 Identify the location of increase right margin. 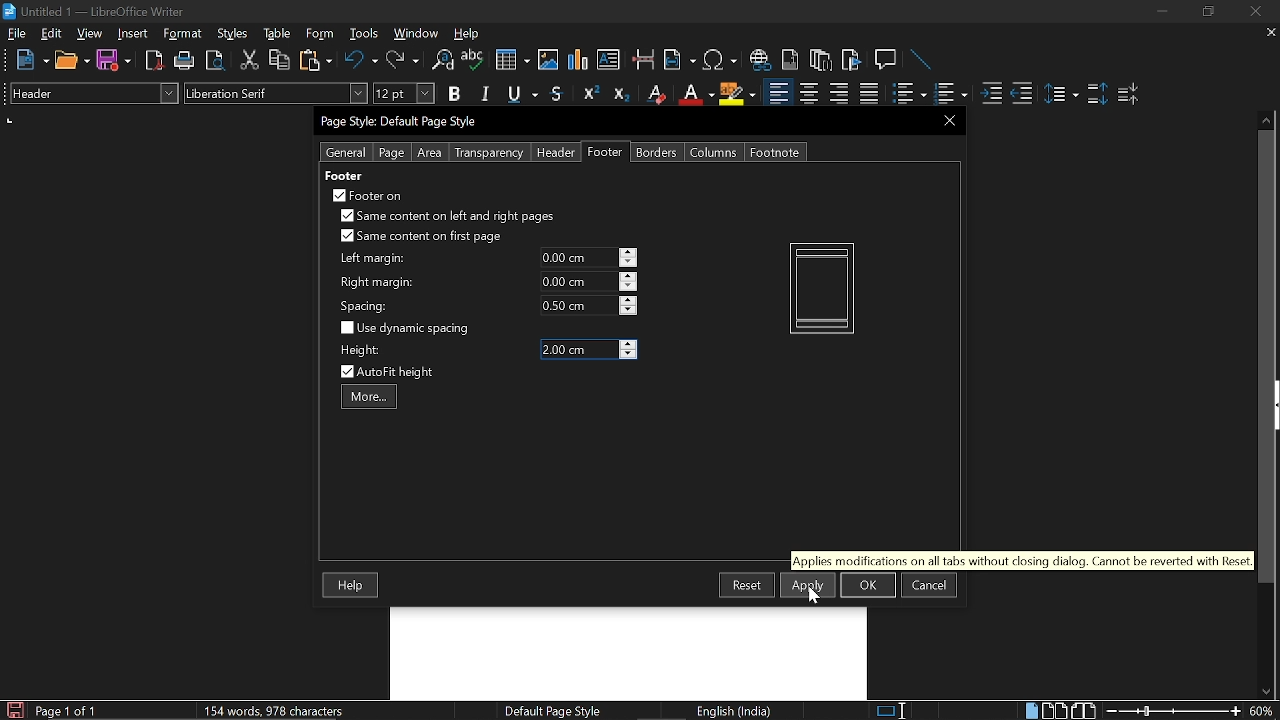
(629, 276).